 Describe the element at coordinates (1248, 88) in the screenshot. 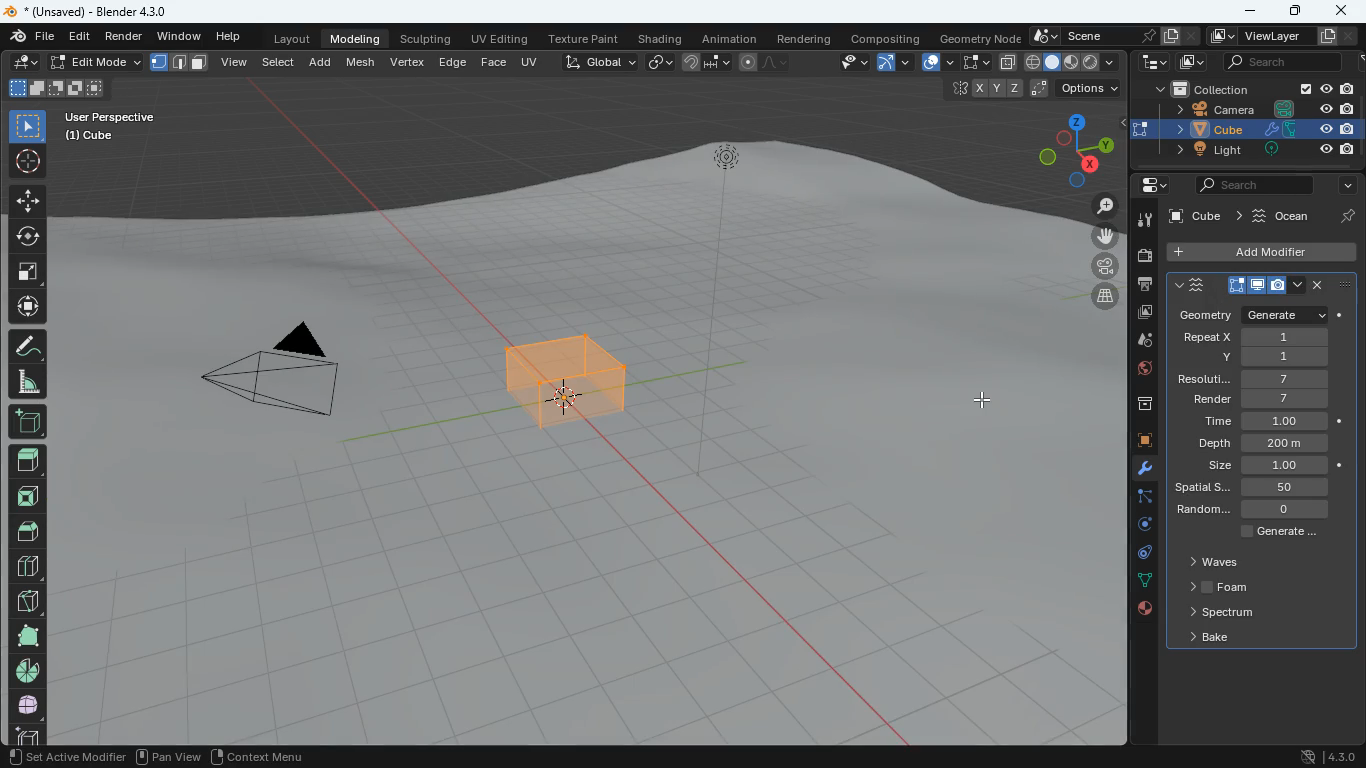

I see `collection` at that location.